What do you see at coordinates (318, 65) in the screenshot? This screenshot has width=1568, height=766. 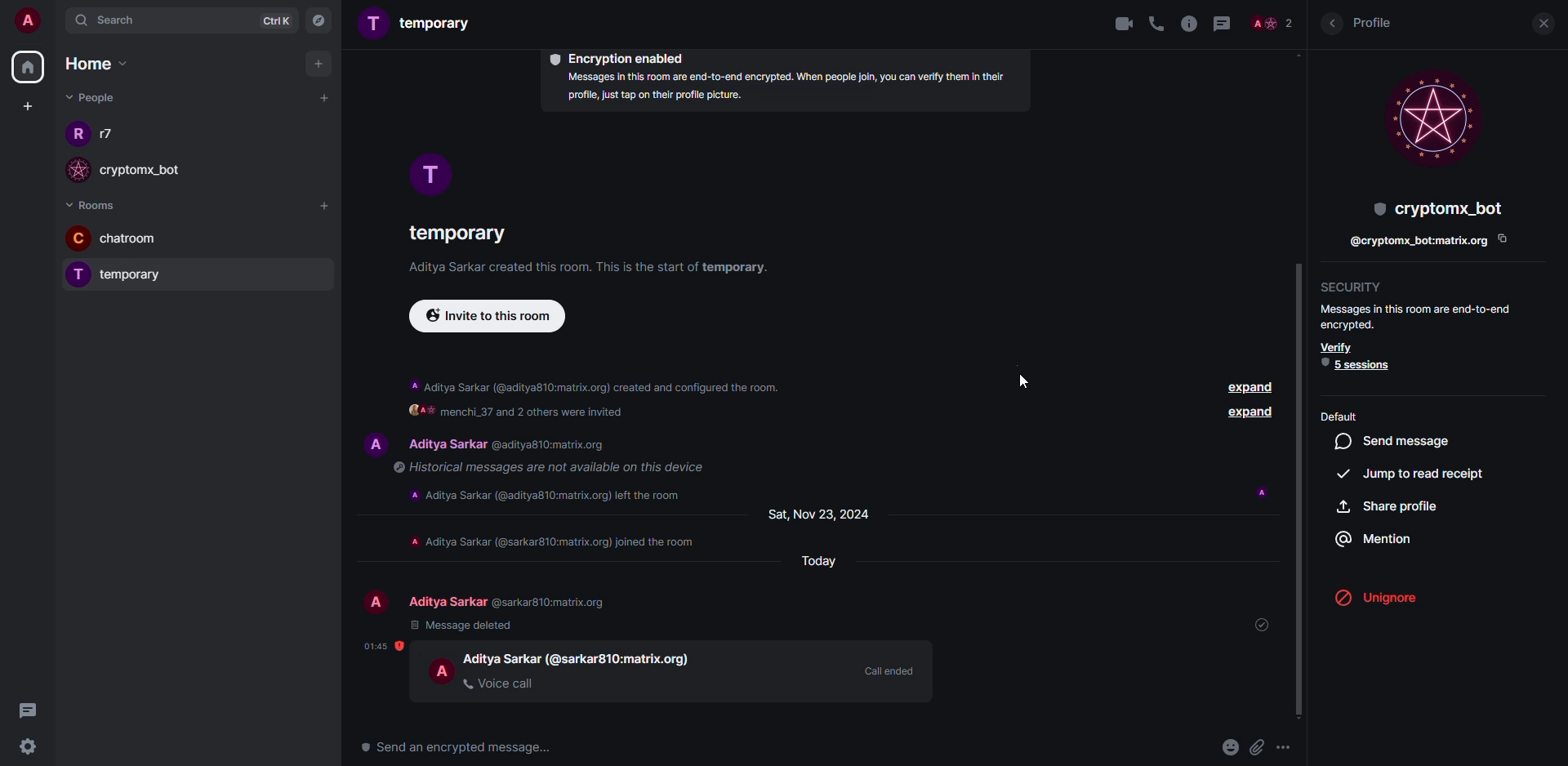 I see `add` at bounding box center [318, 65].